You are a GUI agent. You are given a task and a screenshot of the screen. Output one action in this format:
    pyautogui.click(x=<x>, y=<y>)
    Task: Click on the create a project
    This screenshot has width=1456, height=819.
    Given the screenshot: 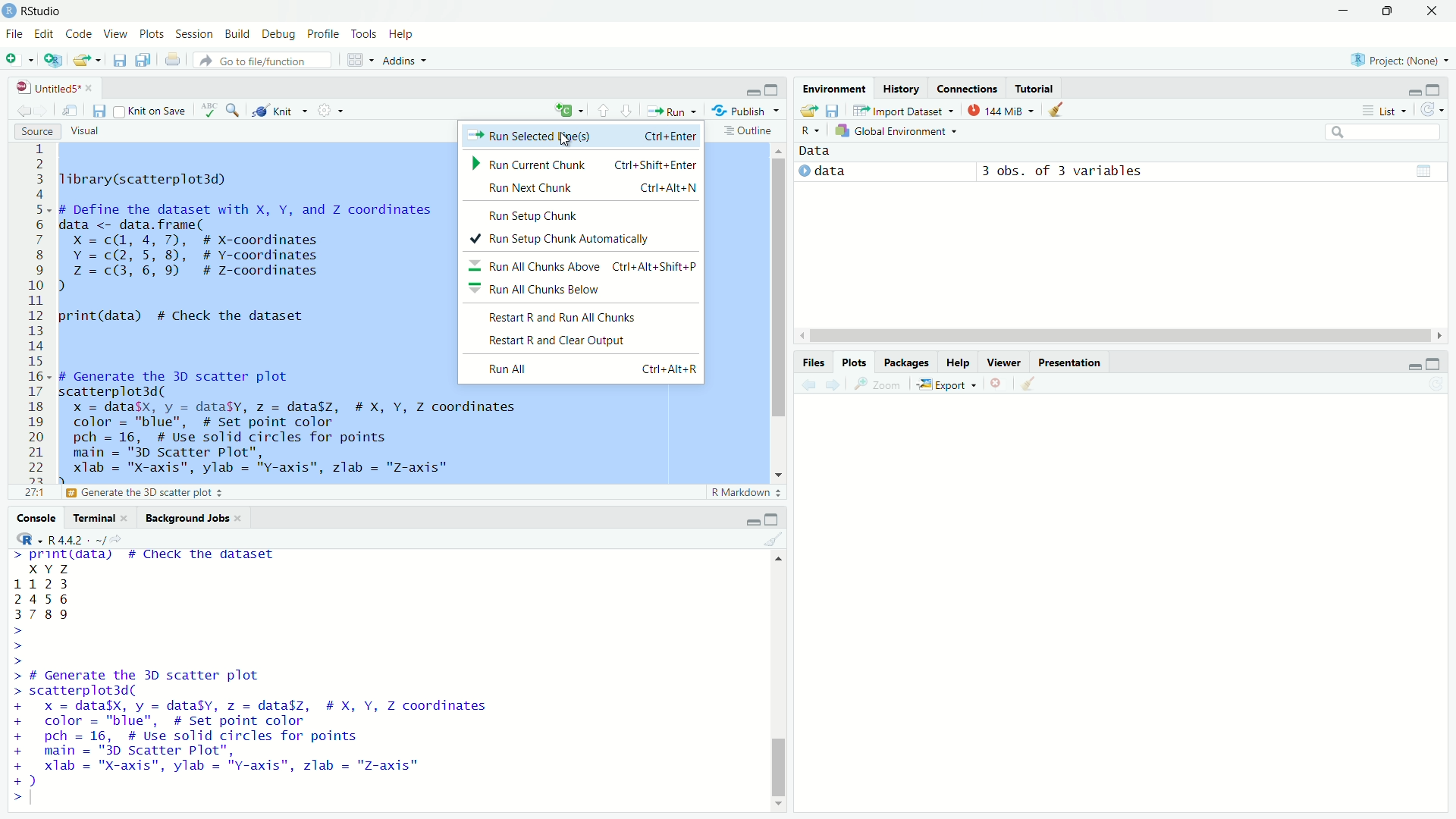 What is the action you would take?
    pyautogui.click(x=54, y=61)
    